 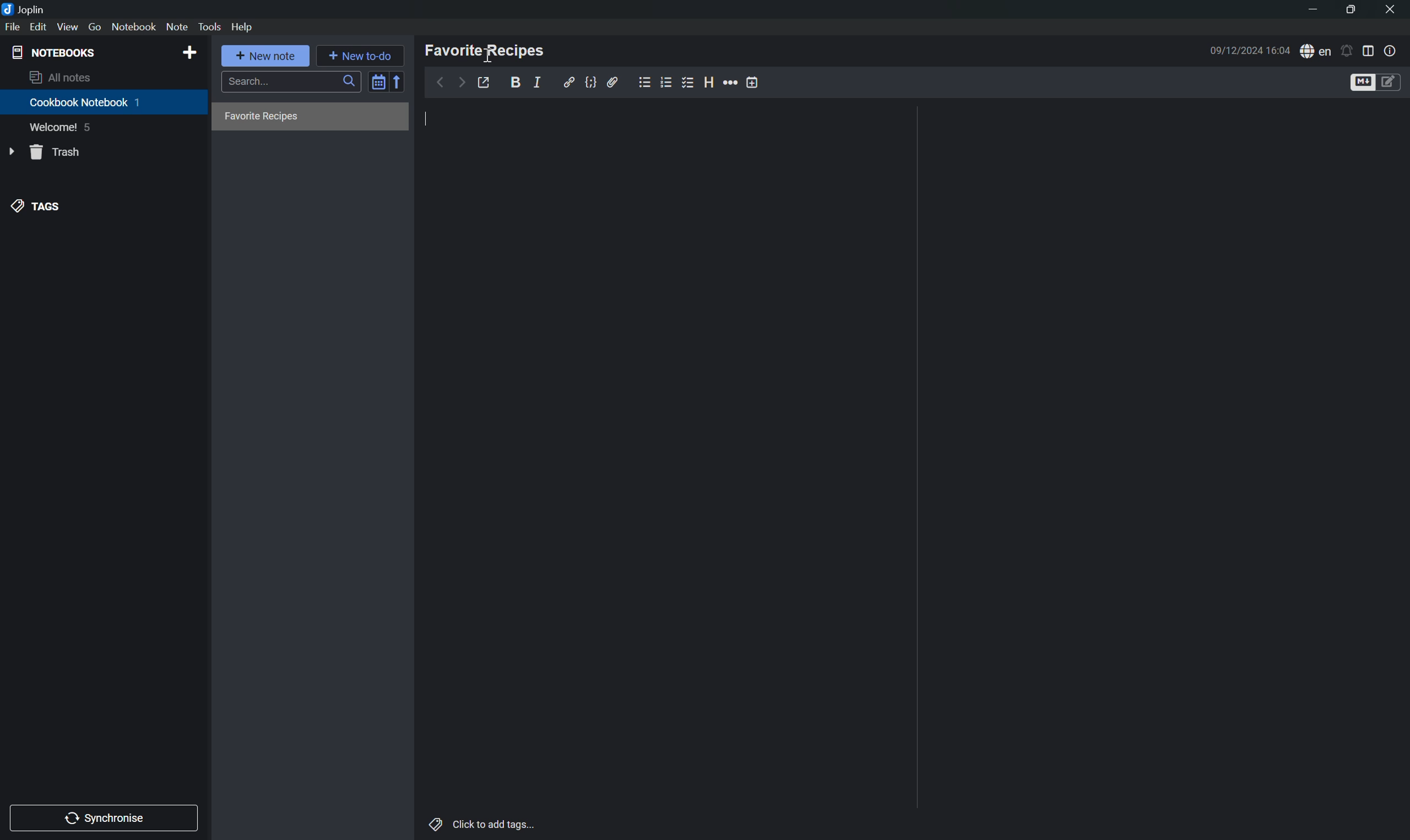 I want to click on Edit, so click(x=38, y=27).